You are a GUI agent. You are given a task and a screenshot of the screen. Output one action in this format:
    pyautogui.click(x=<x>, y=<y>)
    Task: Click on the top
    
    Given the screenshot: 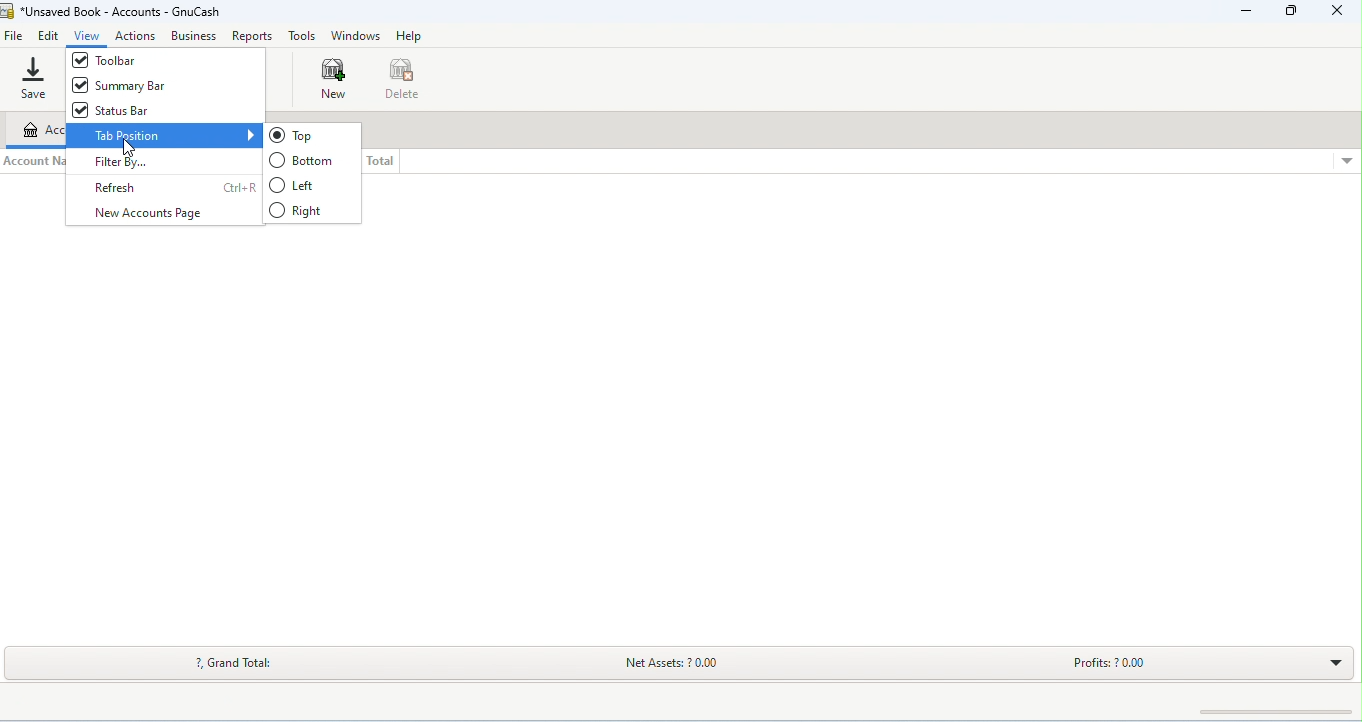 What is the action you would take?
    pyautogui.click(x=306, y=135)
    